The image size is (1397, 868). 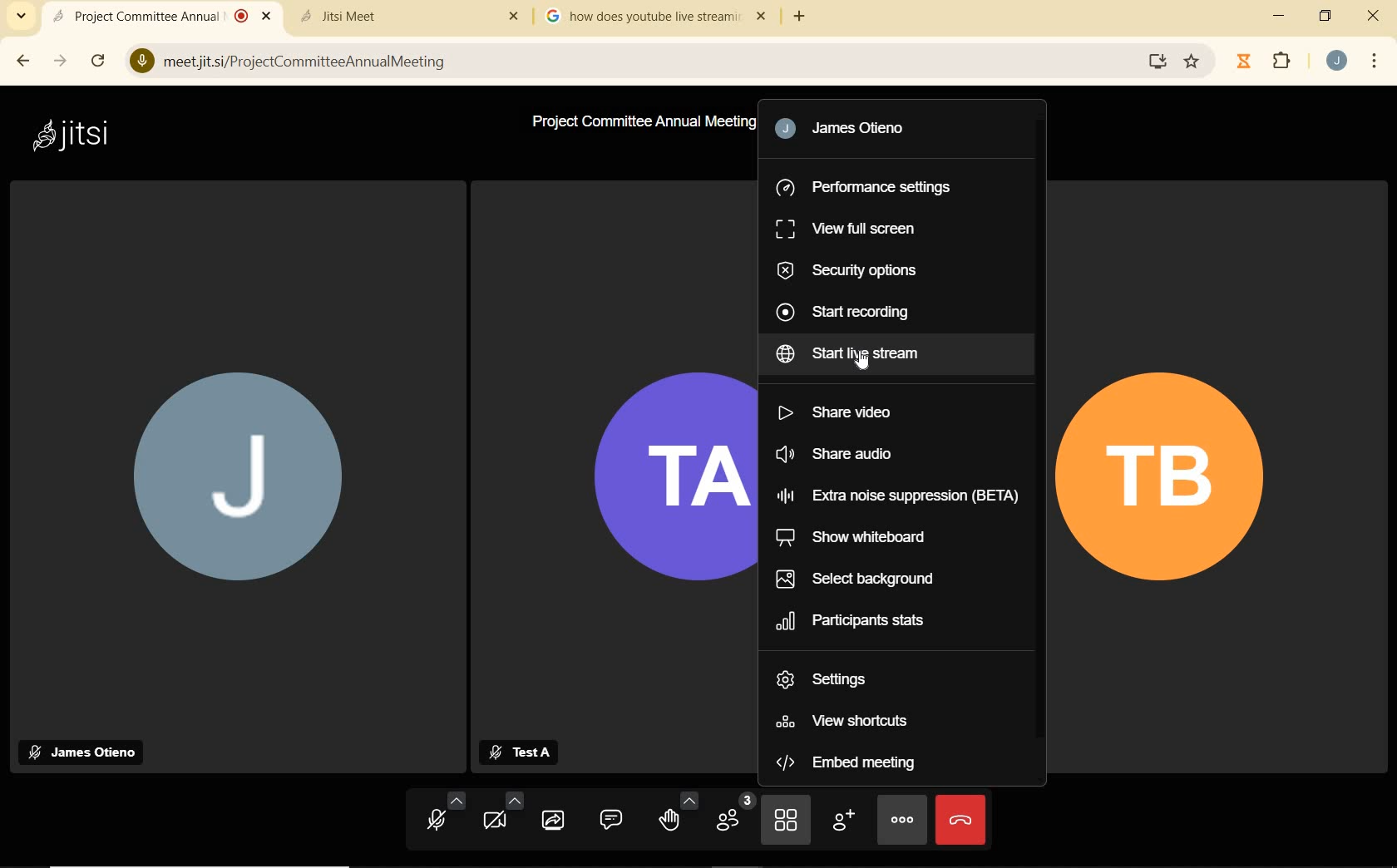 I want to click on address bar, so click(x=650, y=60).